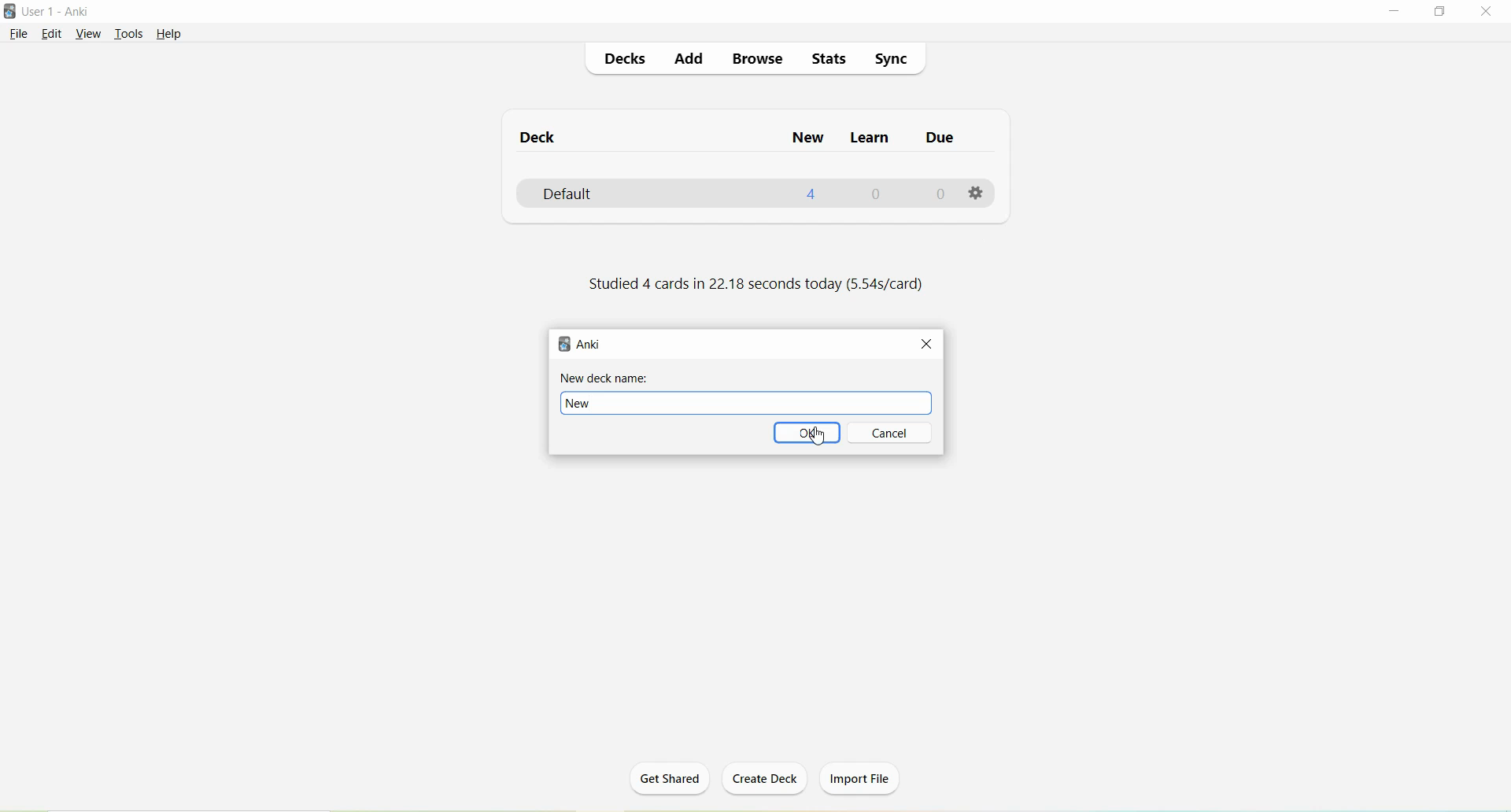 The height and width of the screenshot is (812, 1511). What do you see at coordinates (829, 58) in the screenshot?
I see `Stats` at bounding box center [829, 58].